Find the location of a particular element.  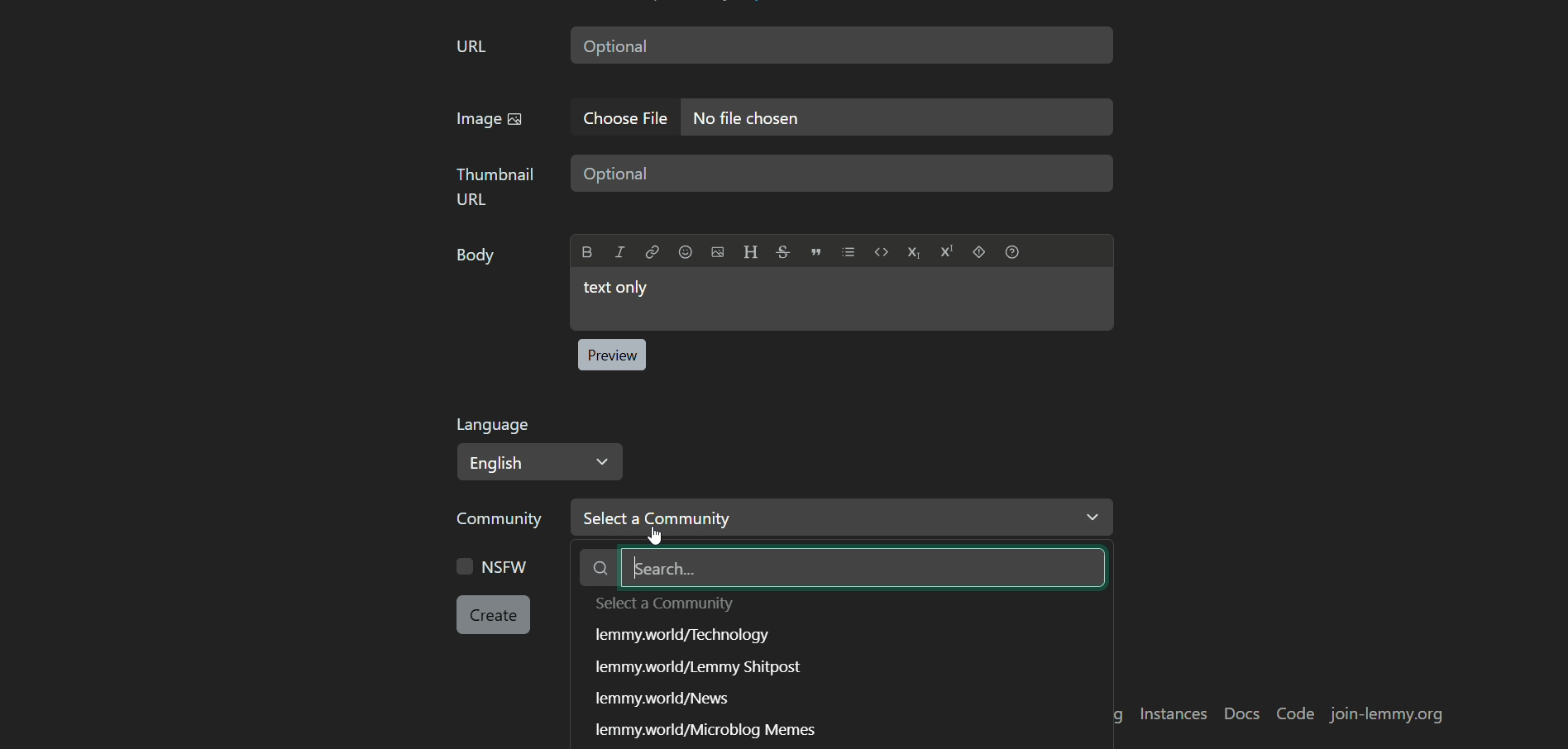

Formatting help is located at coordinates (1012, 251).